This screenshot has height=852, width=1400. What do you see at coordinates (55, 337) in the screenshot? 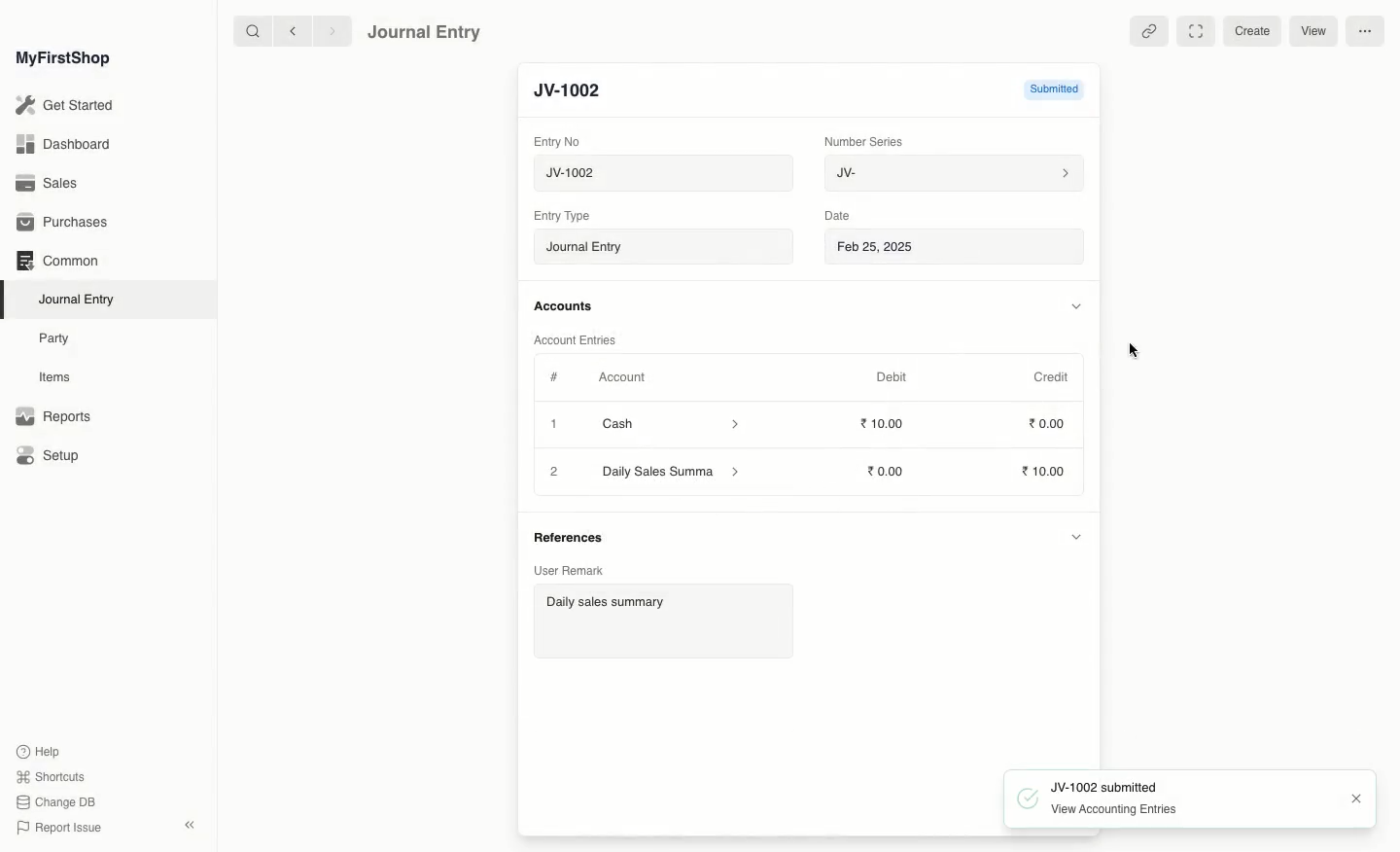
I see `Party` at bounding box center [55, 337].